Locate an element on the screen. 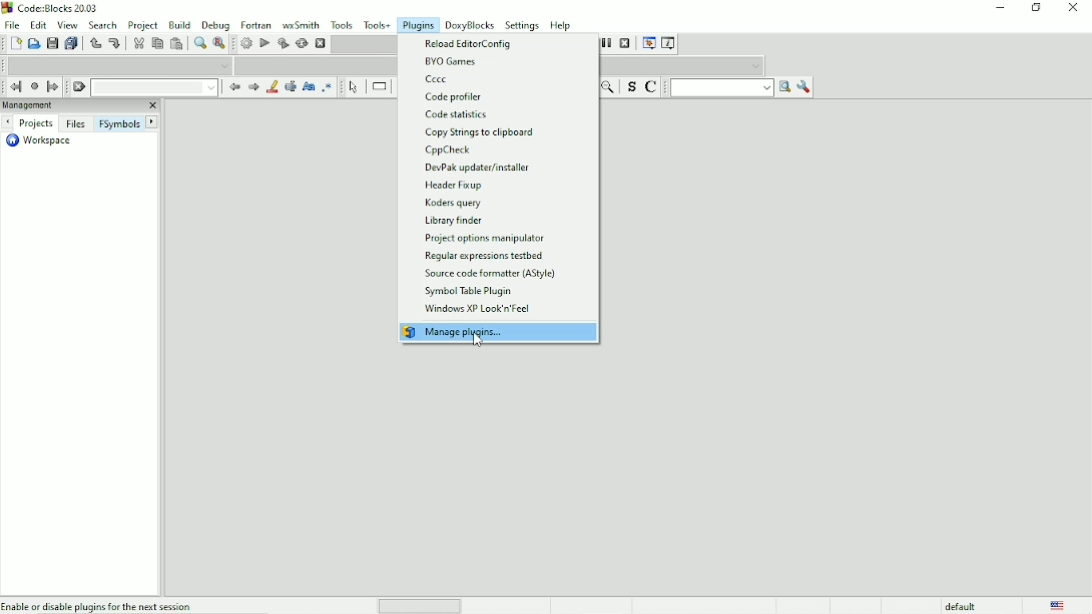  Code completion compiler is located at coordinates (120, 65).